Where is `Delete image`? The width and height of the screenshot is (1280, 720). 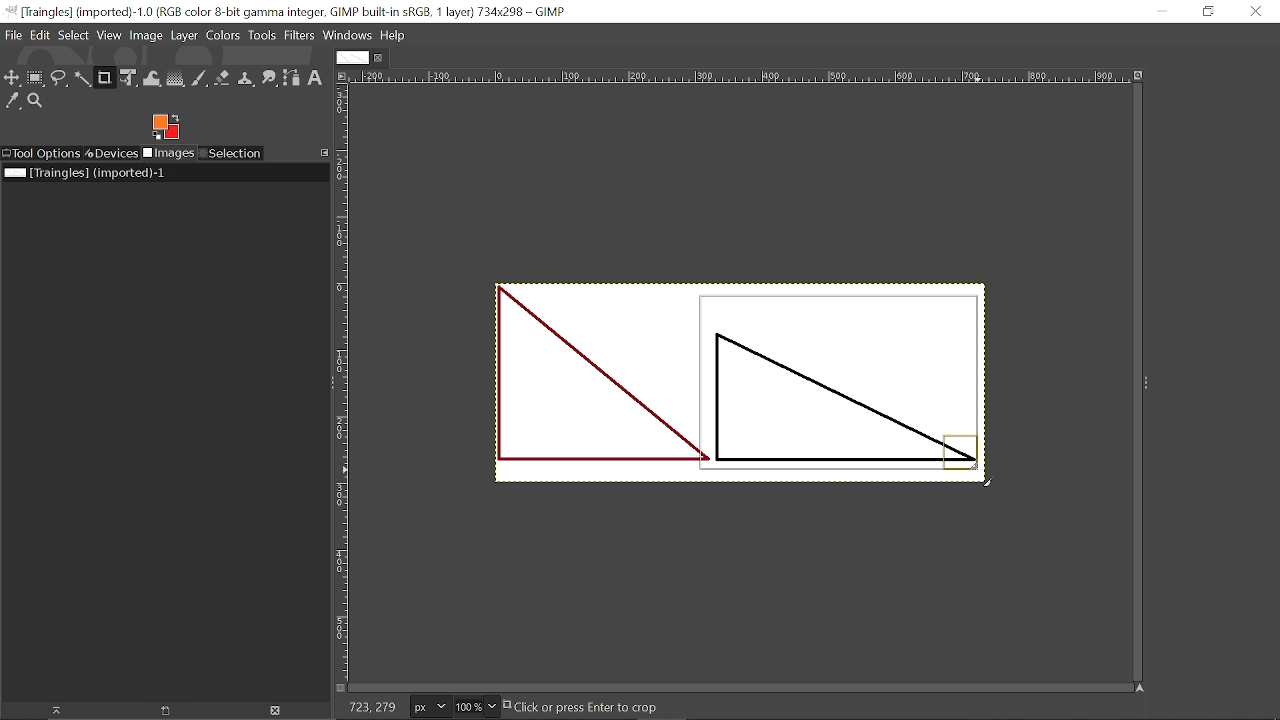
Delete image is located at coordinates (281, 711).